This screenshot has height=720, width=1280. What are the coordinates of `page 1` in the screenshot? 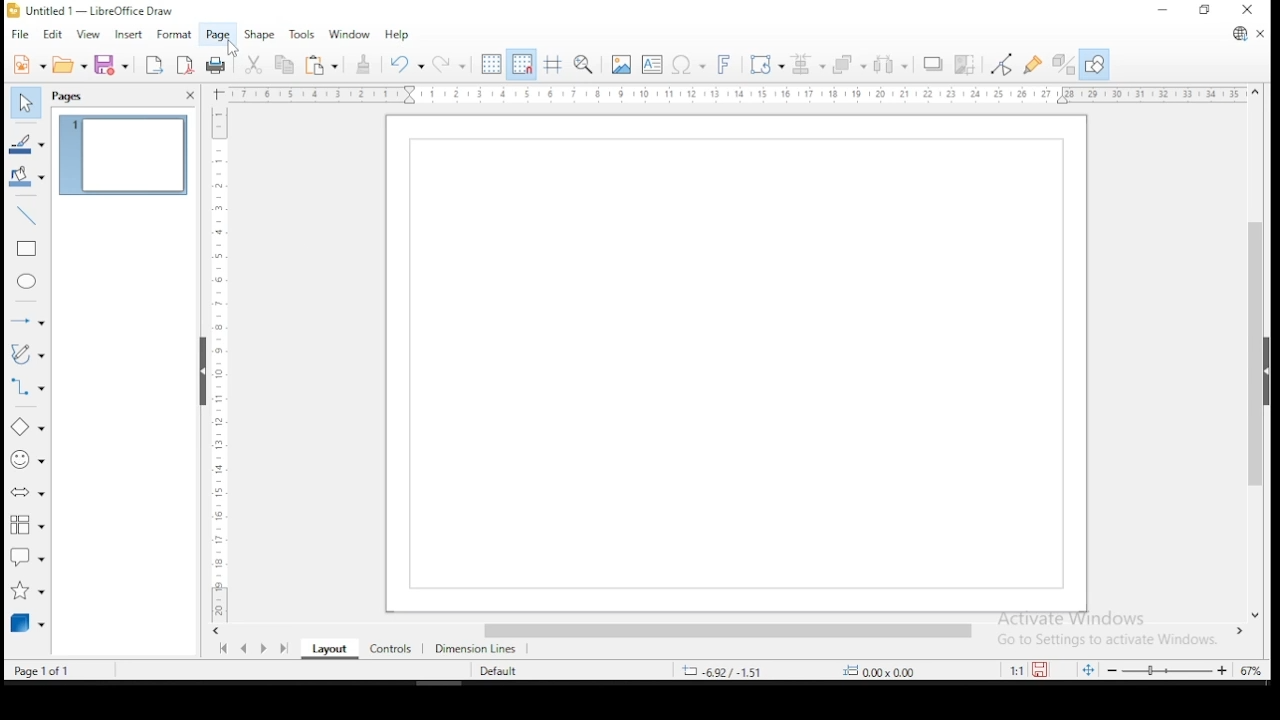 It's located at (121, 156).